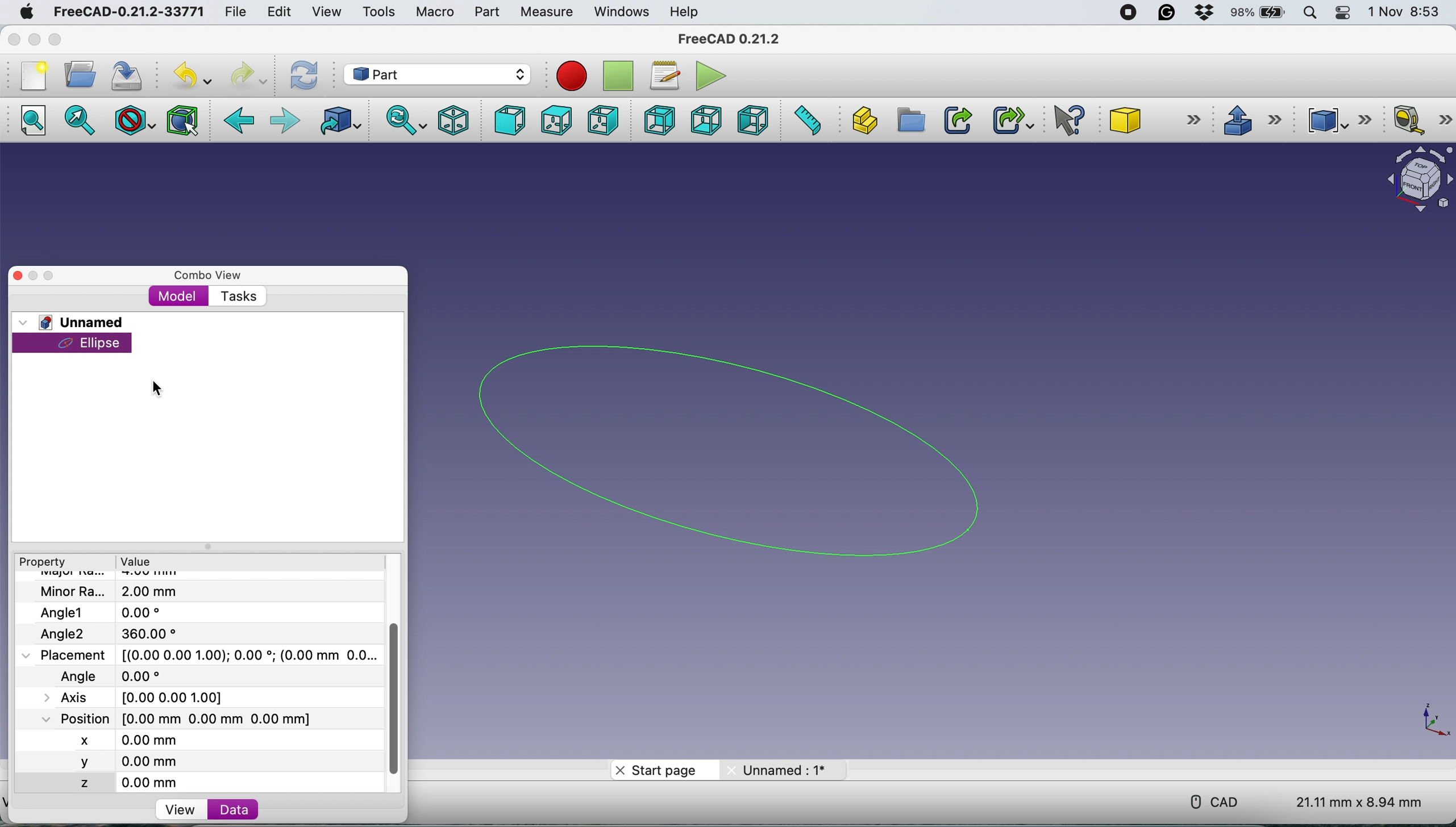 The height and width of the screenshot is (827, 1456). I want to click on measure linear, so click(1419, 120).